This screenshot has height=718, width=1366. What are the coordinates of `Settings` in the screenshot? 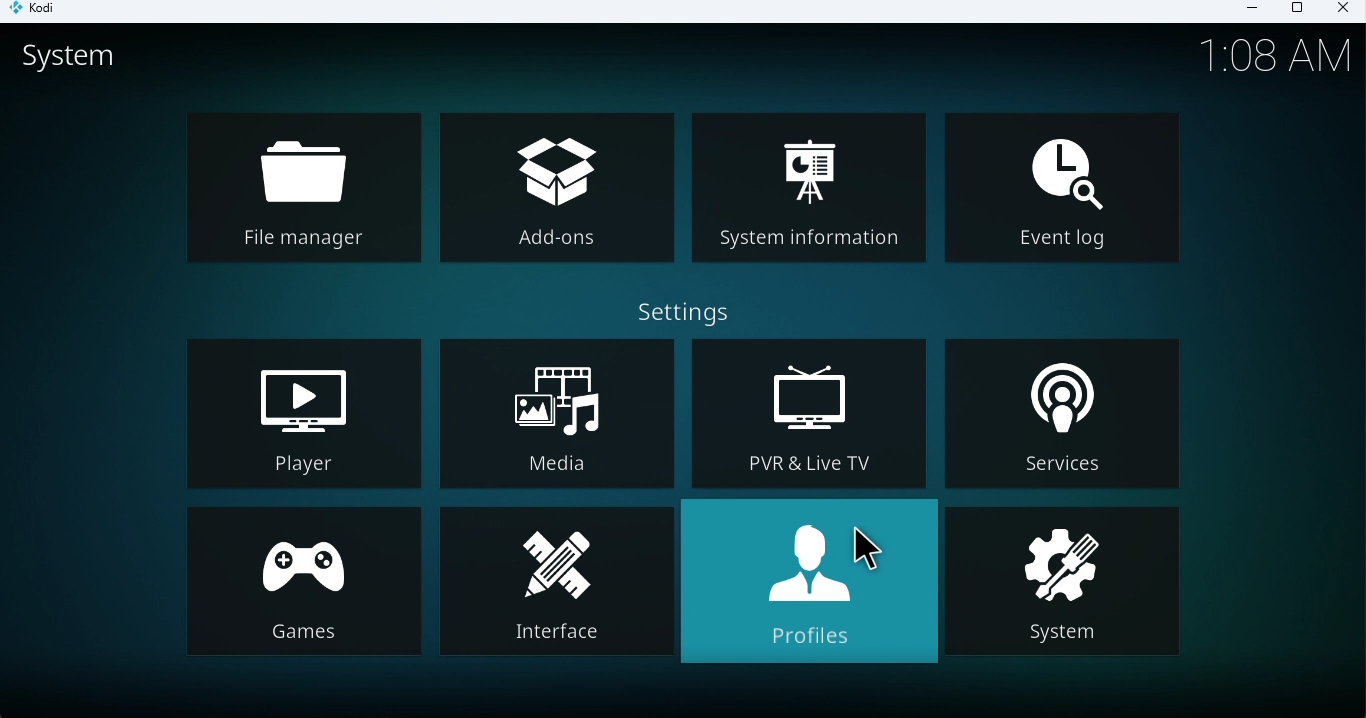 It's located at (690, 306).